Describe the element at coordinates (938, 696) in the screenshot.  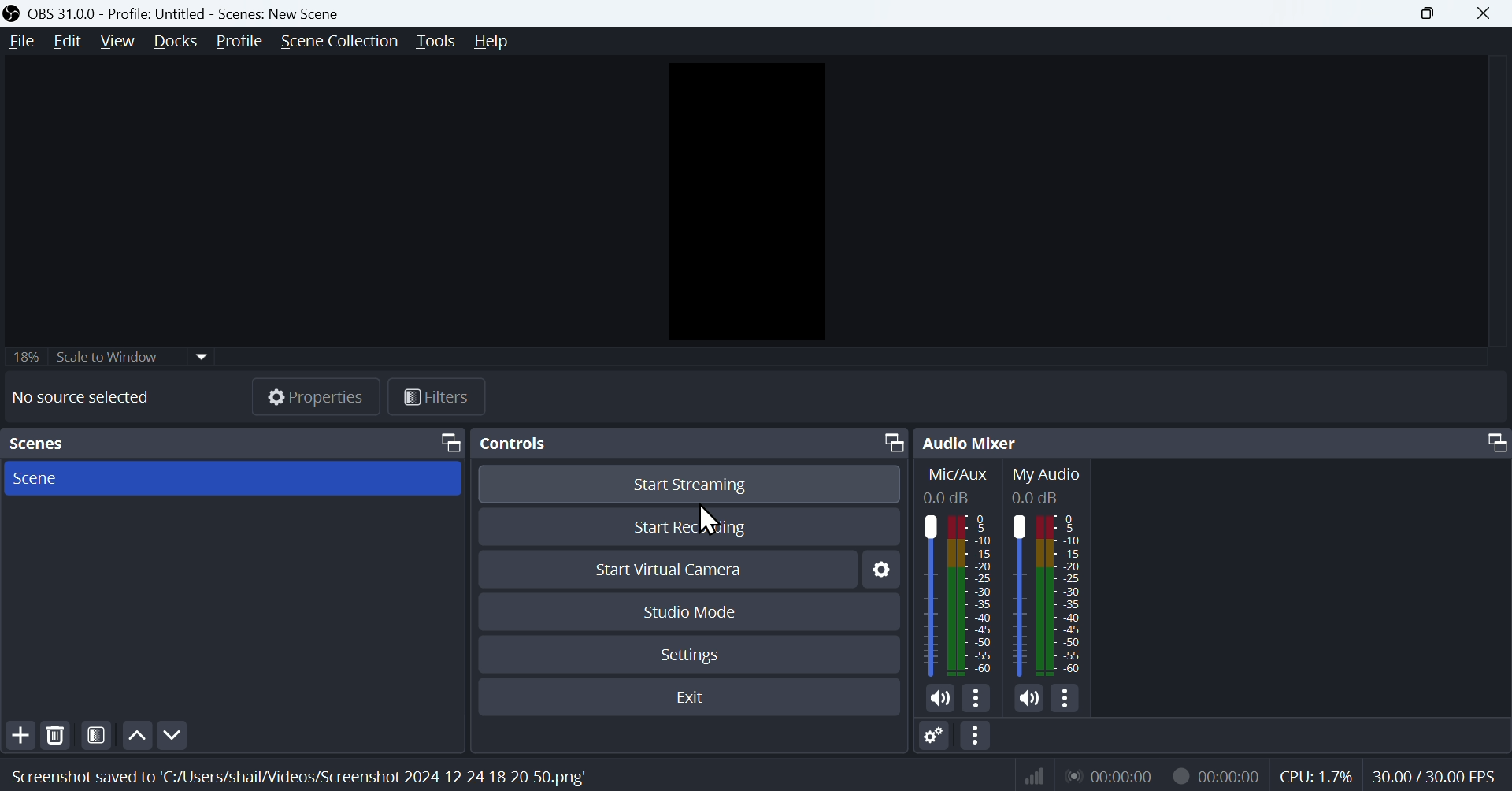
I see `Mute/Unmute` at that location.